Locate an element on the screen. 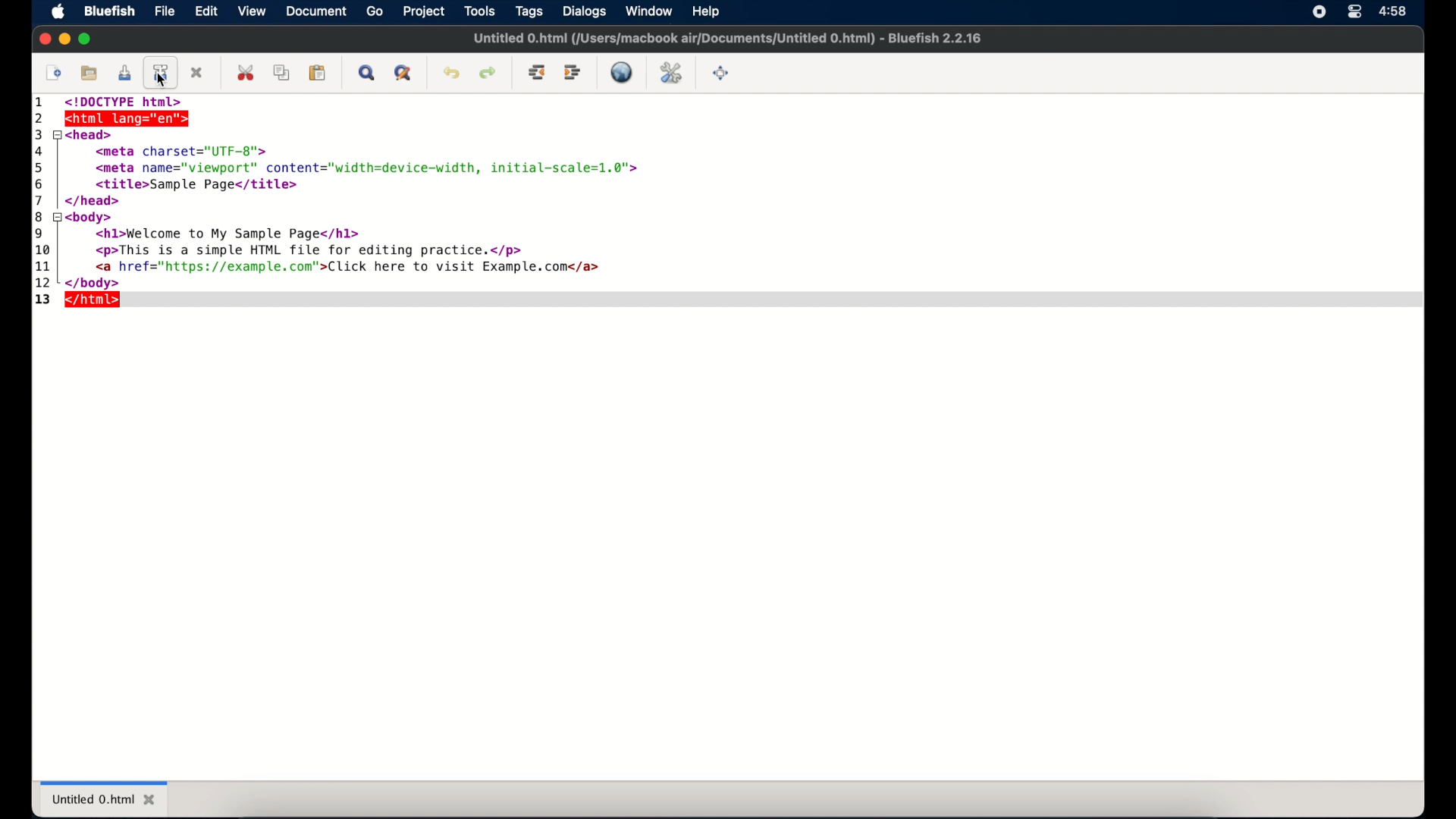 The image size is (1456, 819). apple icon is located at coordinates (58, 11).